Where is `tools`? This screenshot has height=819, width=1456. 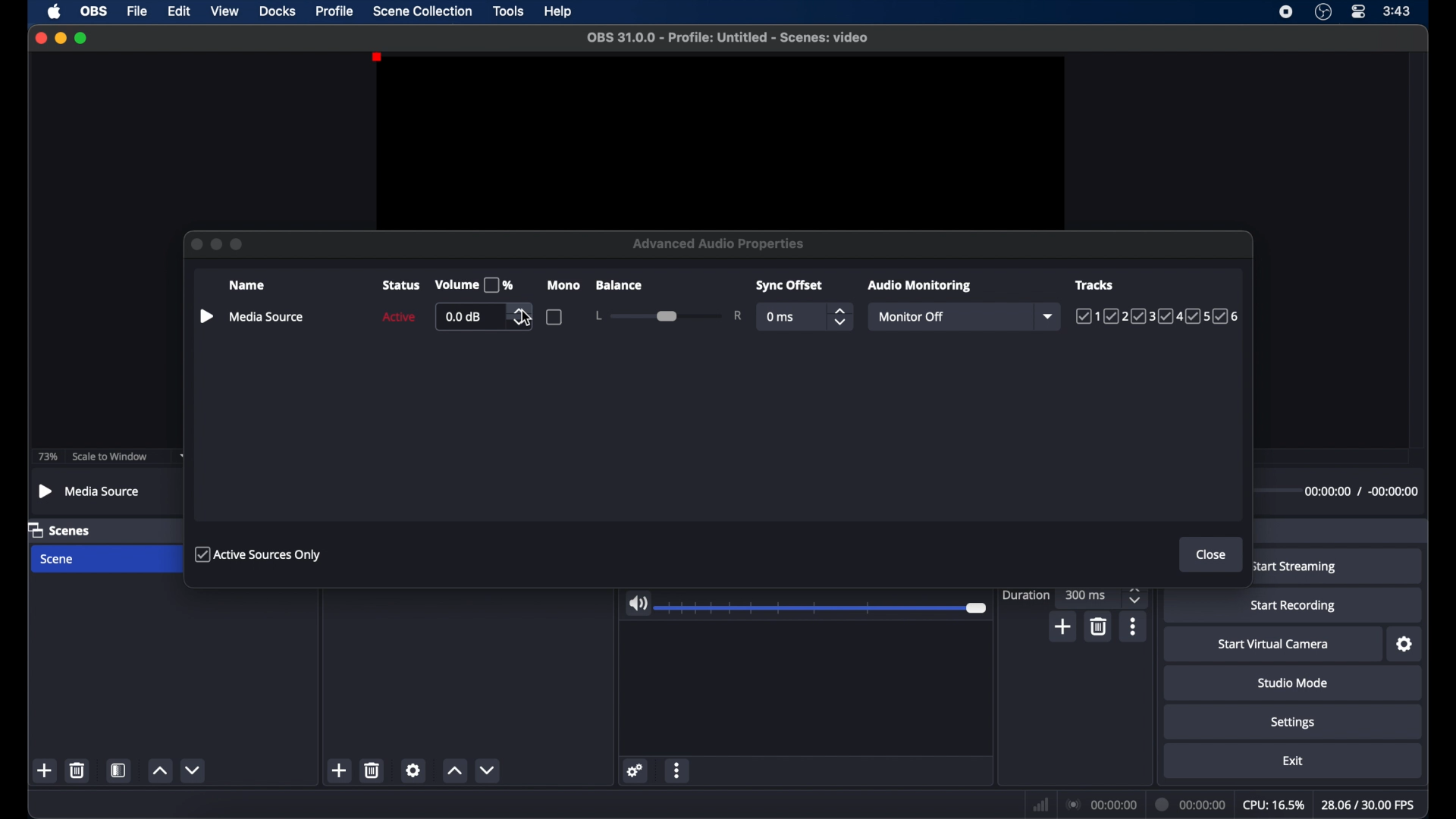
tools is located at coordinates (510, 11).